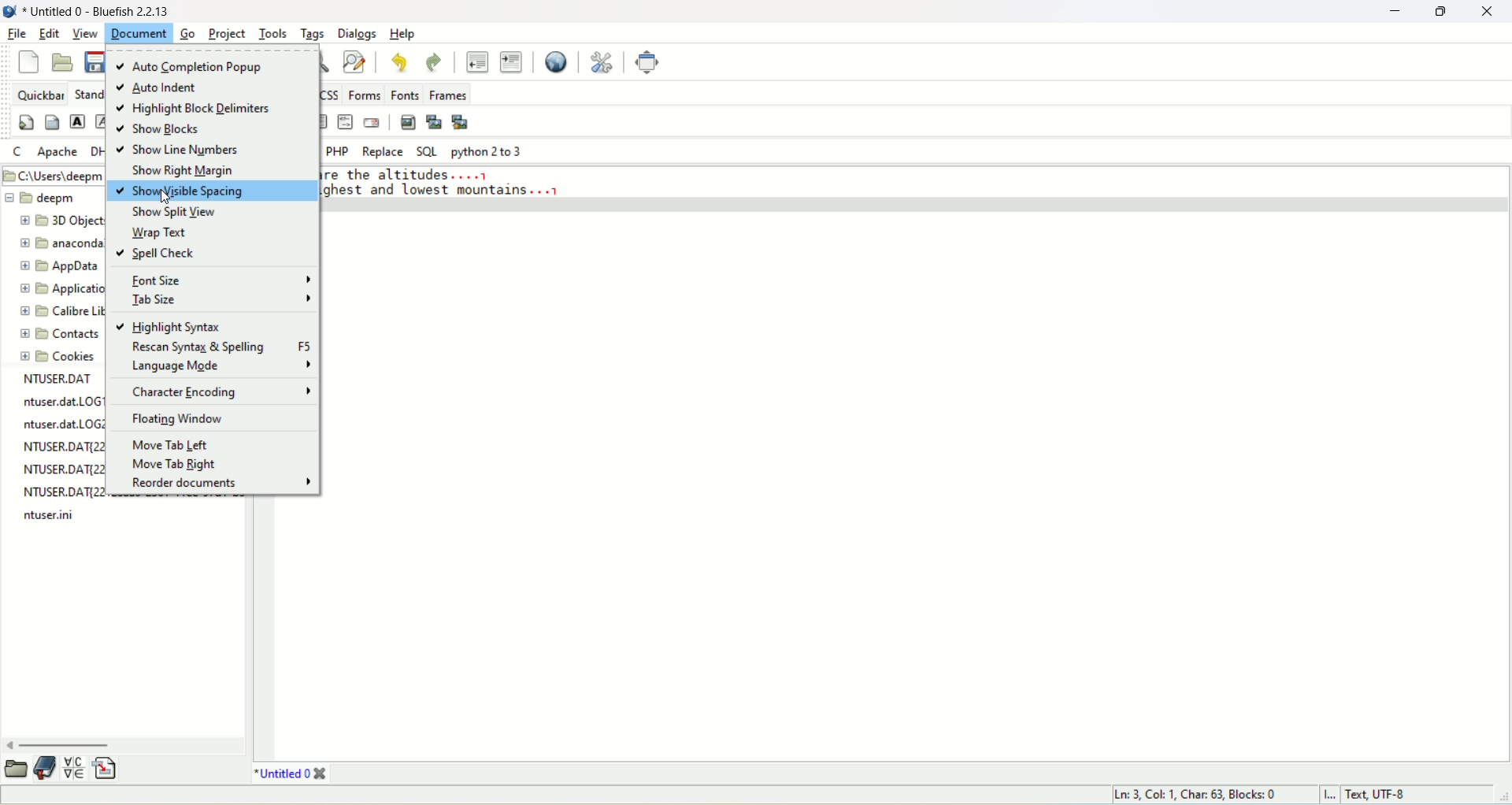  What do you see at coordinates (398, 61) in the screenshot?
I see `undo` at bounding box center [398, 61].